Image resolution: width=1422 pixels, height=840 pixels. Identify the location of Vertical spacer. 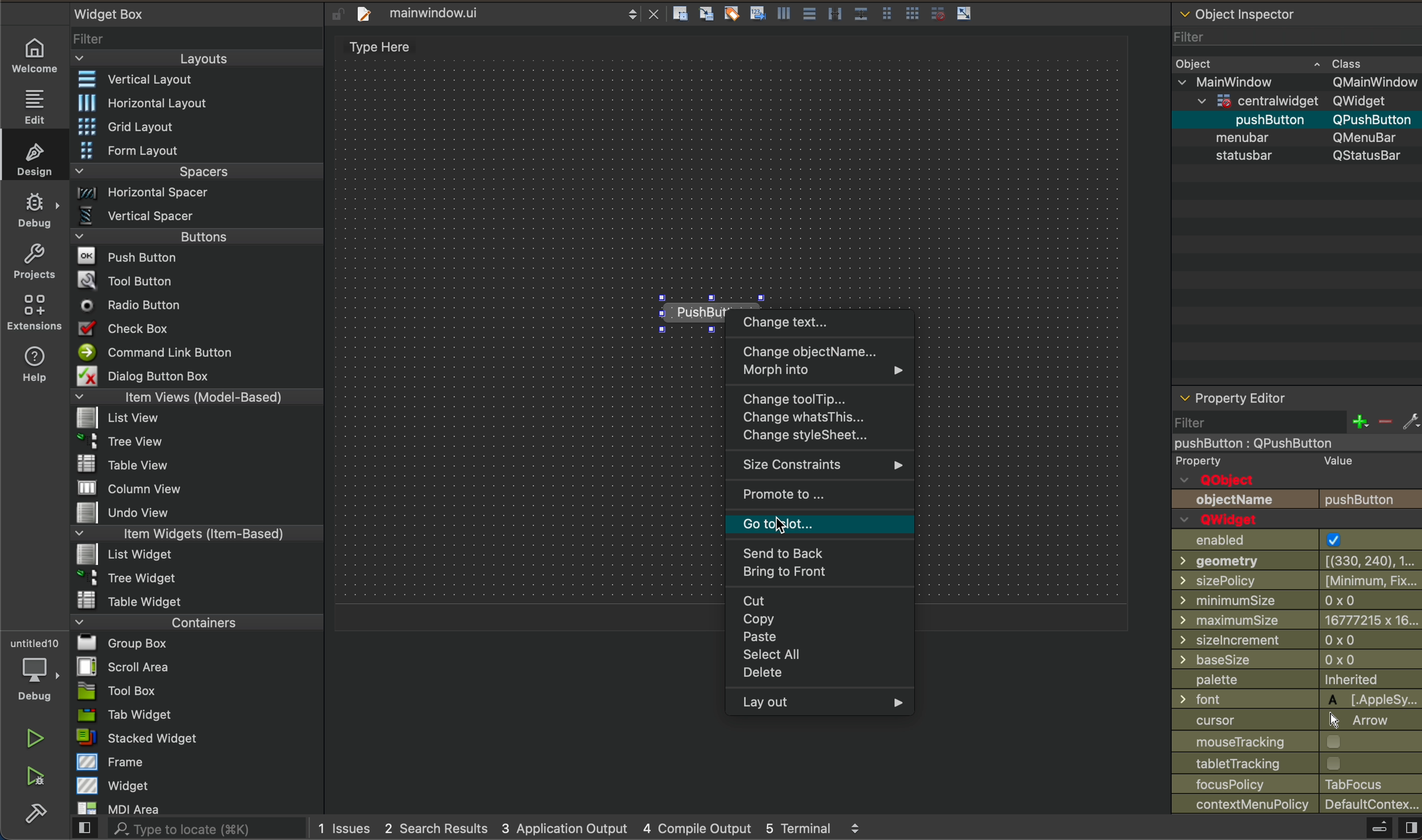
(193, 215).